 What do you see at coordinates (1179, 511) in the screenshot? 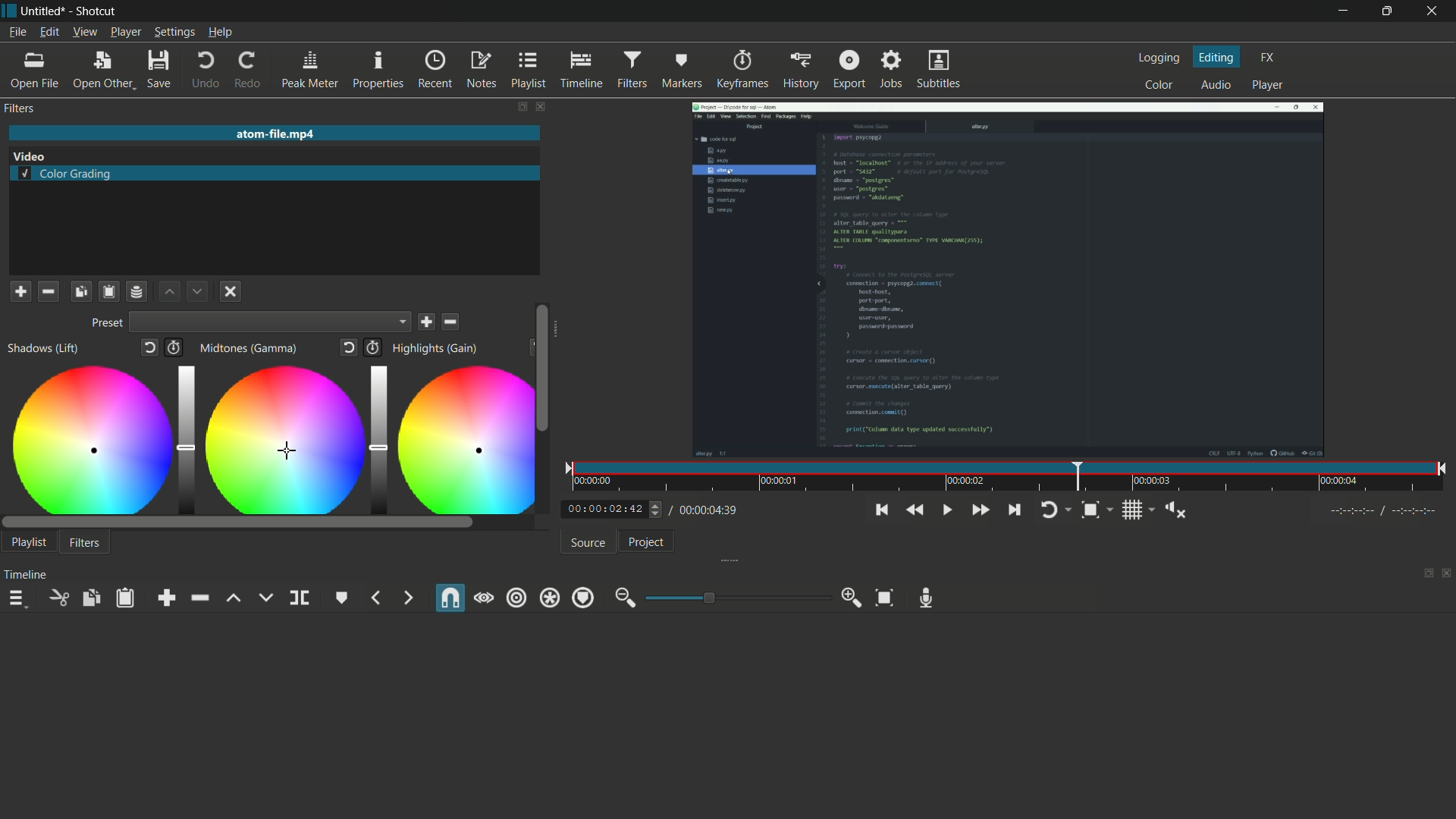
I see `show volume control` at bounding box center [1179, 511].